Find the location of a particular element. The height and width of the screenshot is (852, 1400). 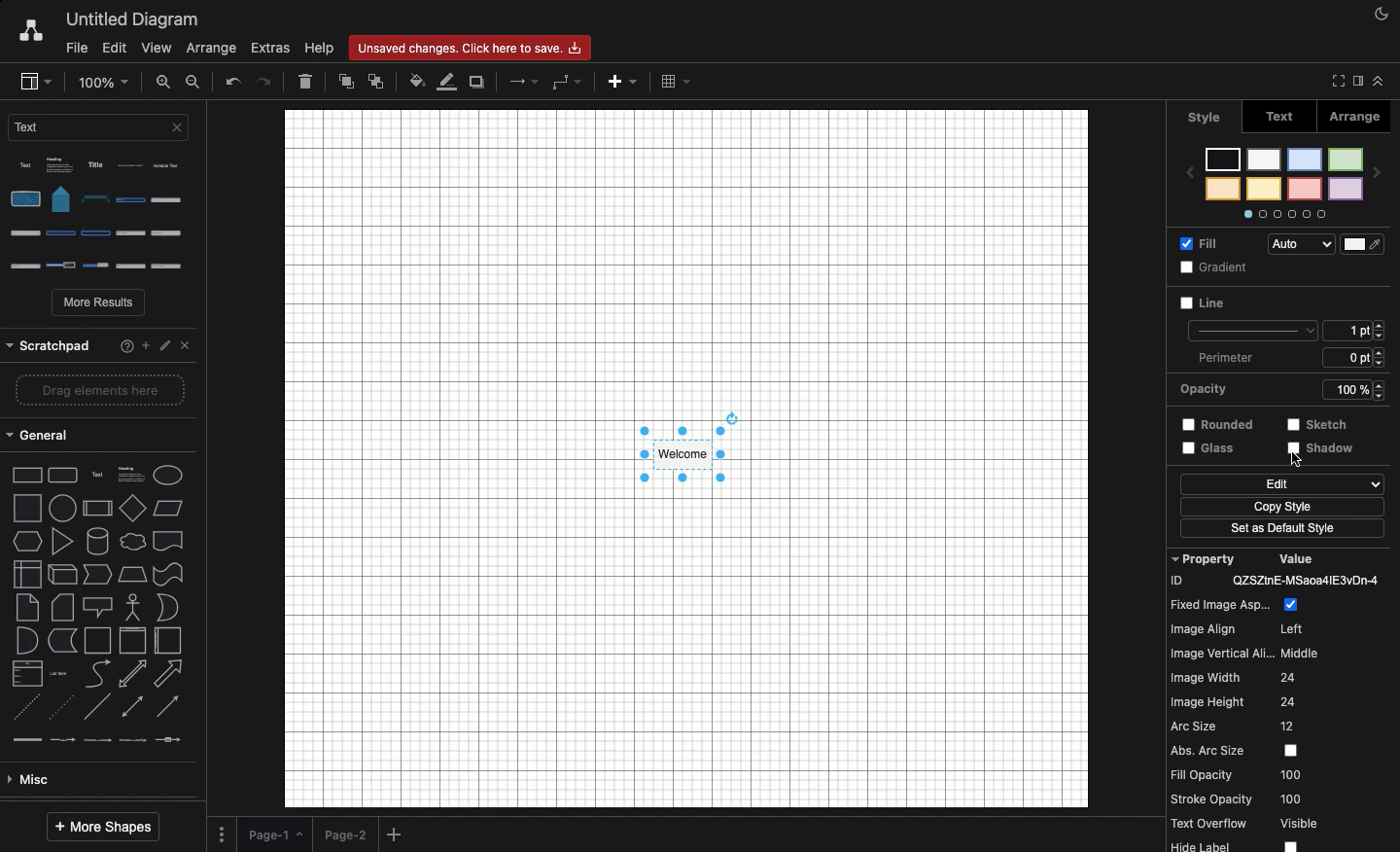

shape is located at coordinates (99, 438).